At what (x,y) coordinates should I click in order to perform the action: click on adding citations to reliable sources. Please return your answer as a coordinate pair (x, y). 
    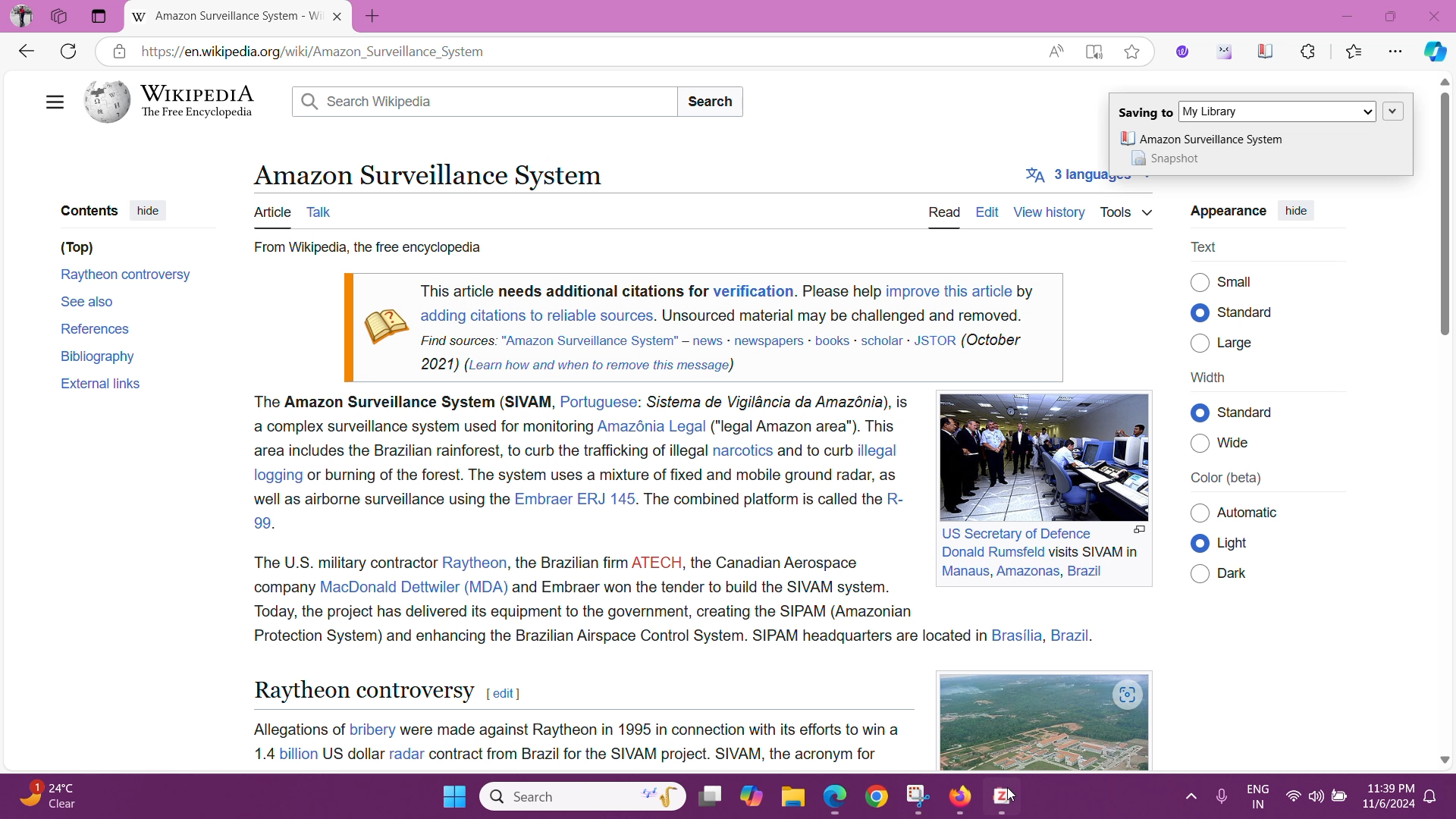
    Looking at the image, I should click on (535, 315).